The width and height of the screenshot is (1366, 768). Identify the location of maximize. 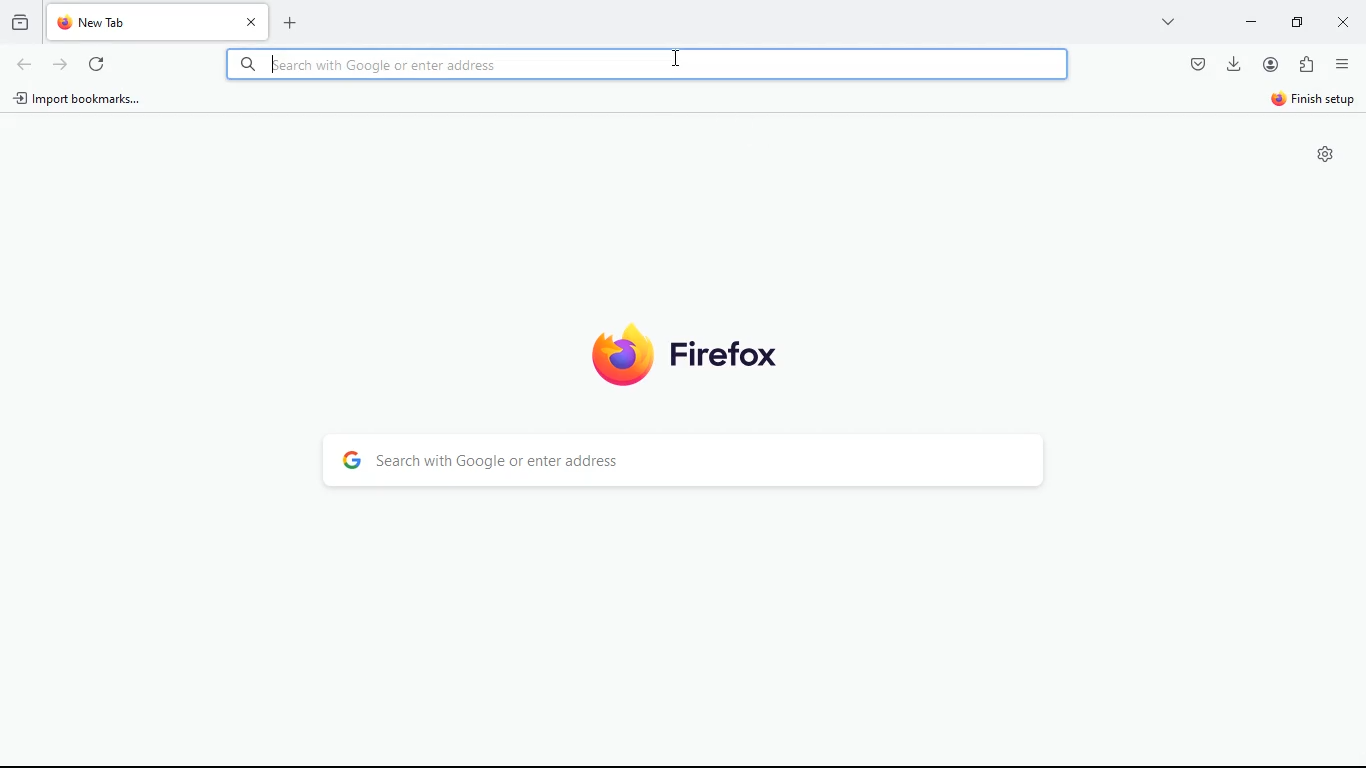
(1296, 22).